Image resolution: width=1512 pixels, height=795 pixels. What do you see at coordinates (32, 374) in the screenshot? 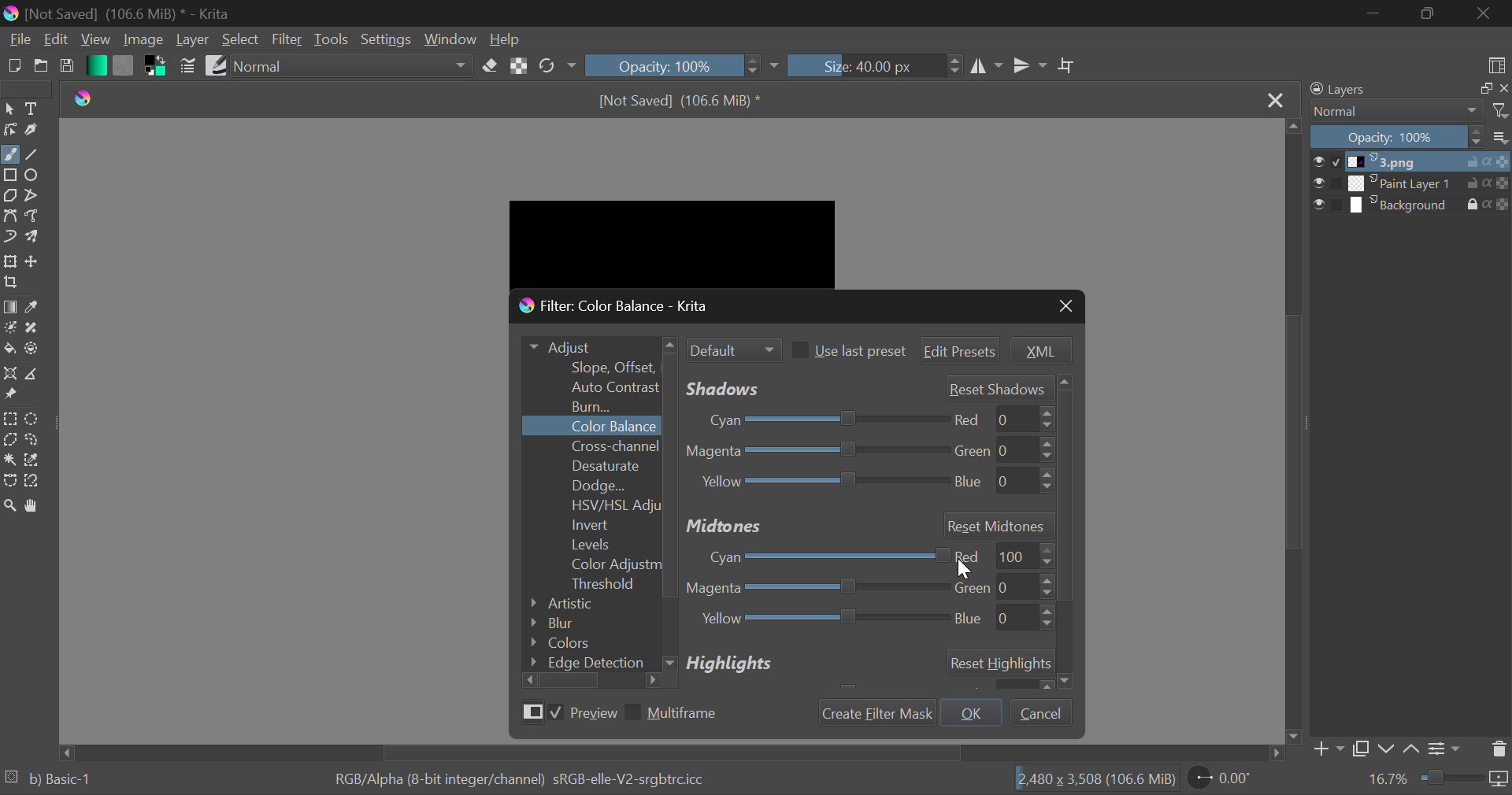
I see `Measurements` at bounding box center [32, 374].